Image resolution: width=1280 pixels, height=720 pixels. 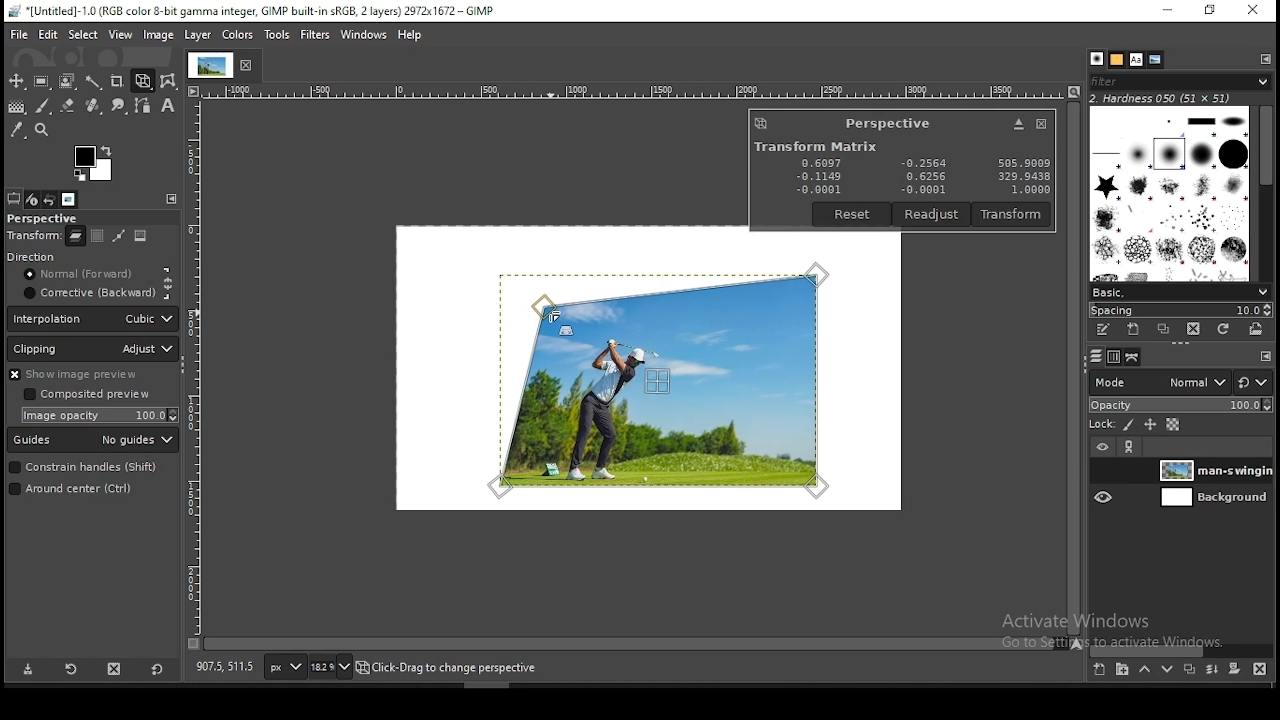 I want to click on scroll bar, so click(x=1183, y=648).